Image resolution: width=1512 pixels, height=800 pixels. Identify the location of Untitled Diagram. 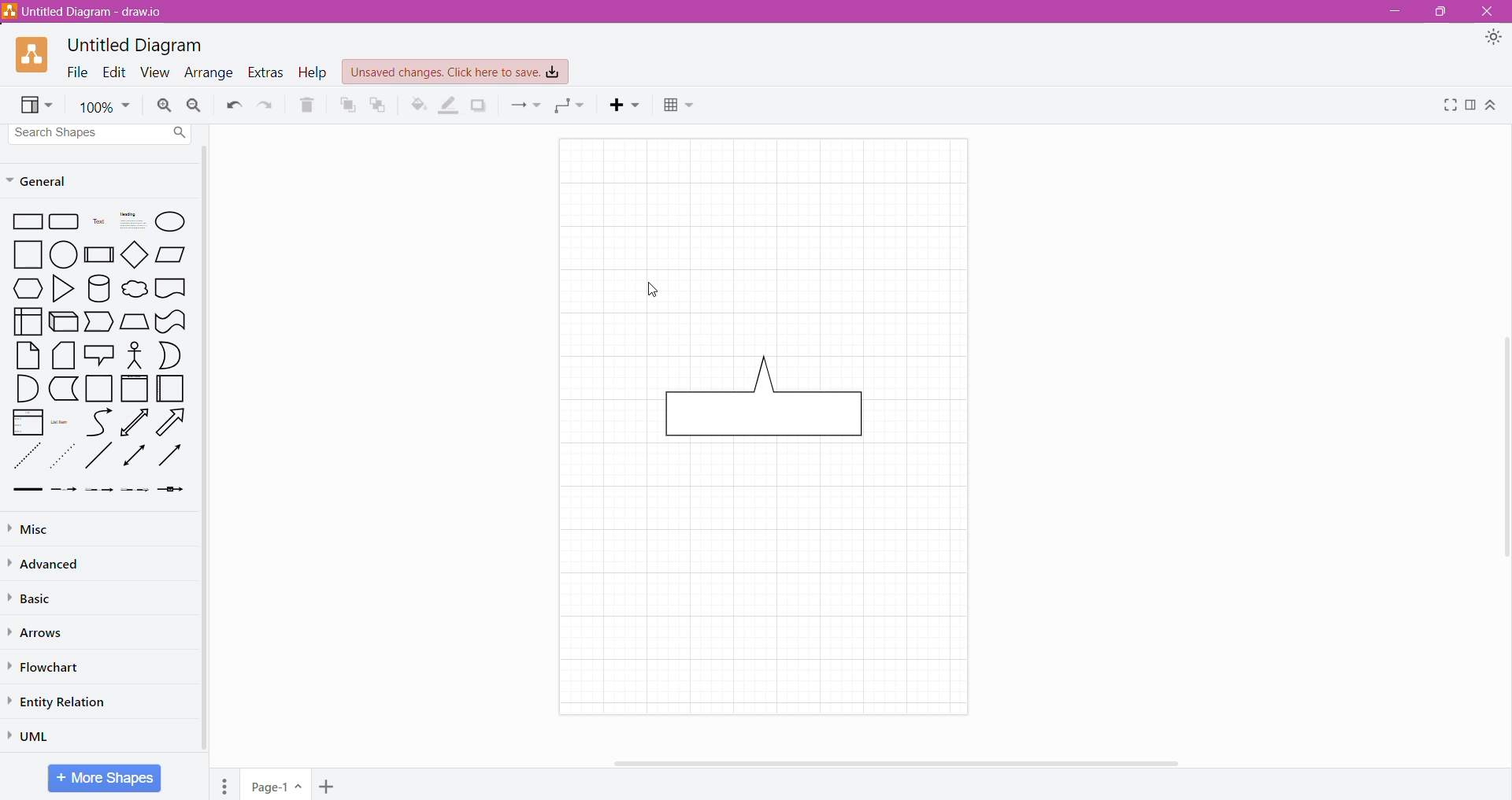
(135, 46).